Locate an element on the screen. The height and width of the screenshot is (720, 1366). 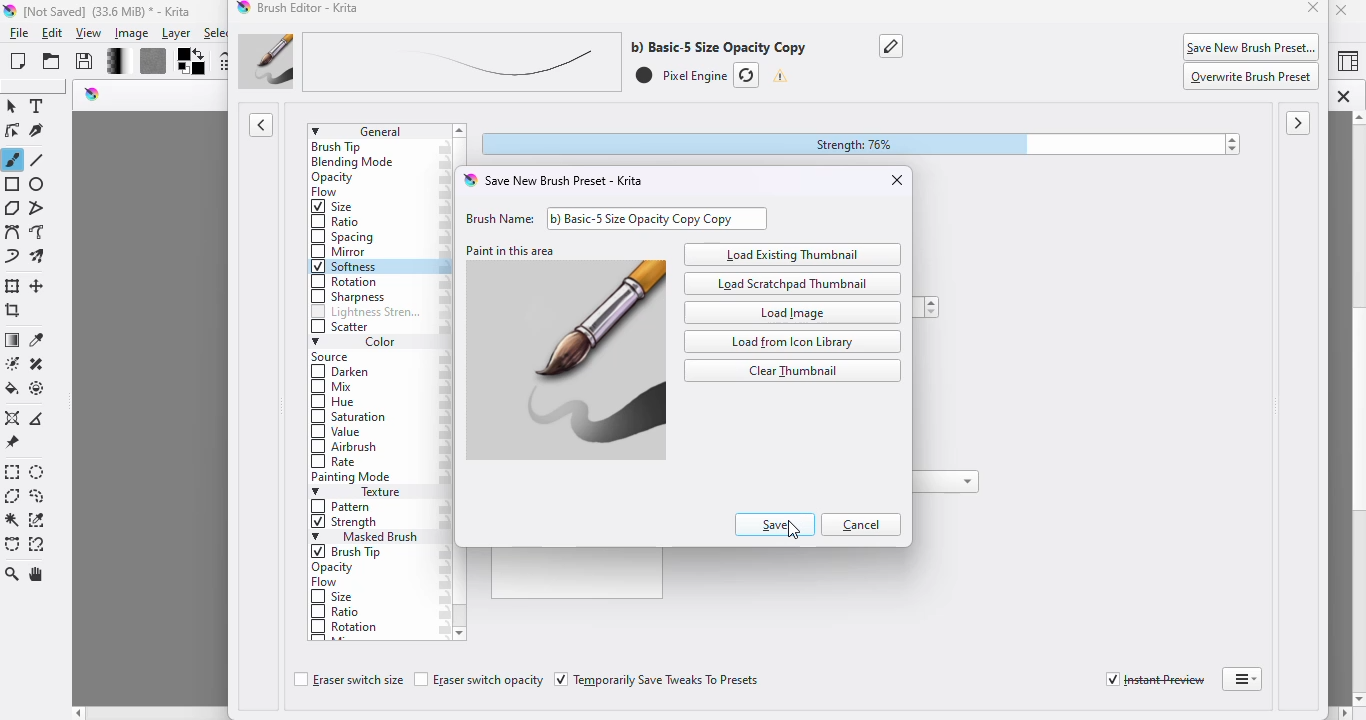
flow is located at coordinates (327, 193).